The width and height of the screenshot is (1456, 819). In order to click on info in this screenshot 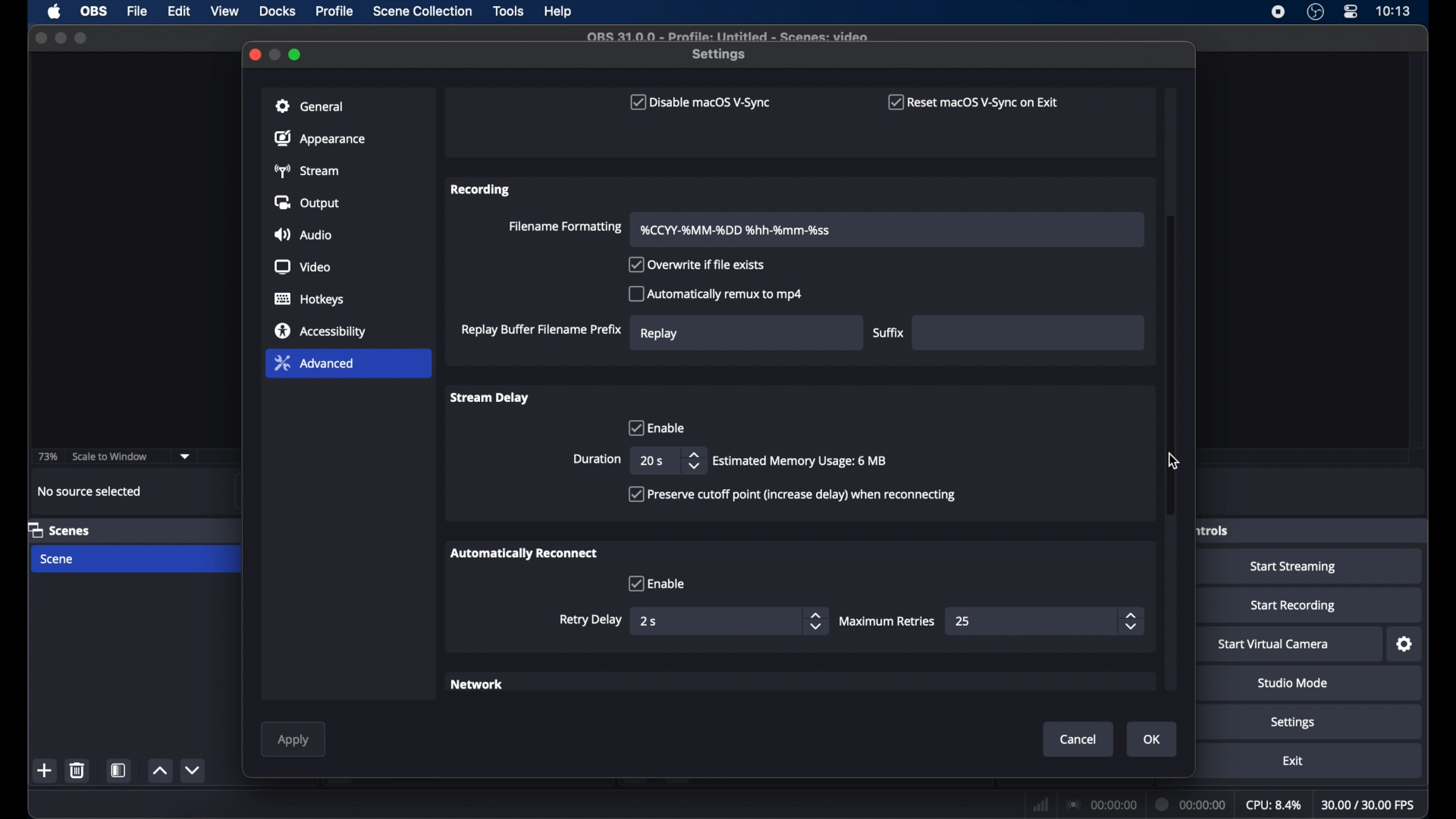, I will do `click(801, 461)`.